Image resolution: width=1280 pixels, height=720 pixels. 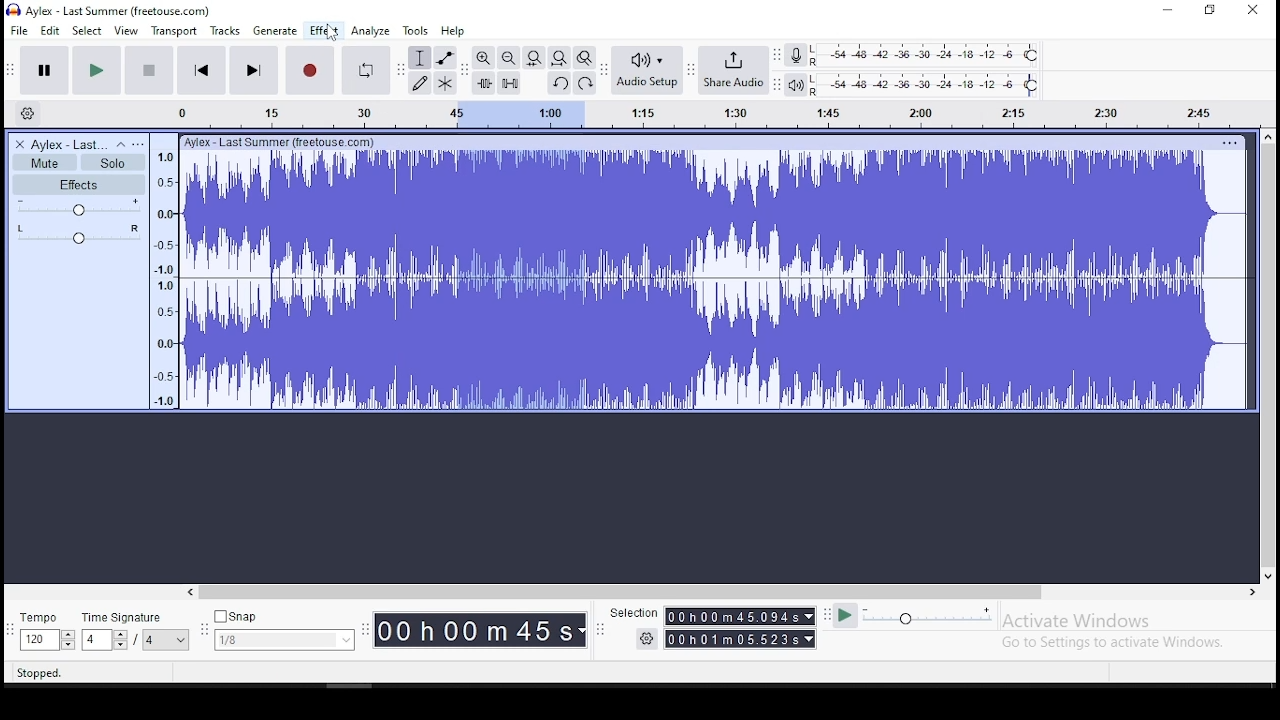 What do you see at coordinates (932, 54) in the screenshot?
I see `recording level` at bounding box center [932, 54].